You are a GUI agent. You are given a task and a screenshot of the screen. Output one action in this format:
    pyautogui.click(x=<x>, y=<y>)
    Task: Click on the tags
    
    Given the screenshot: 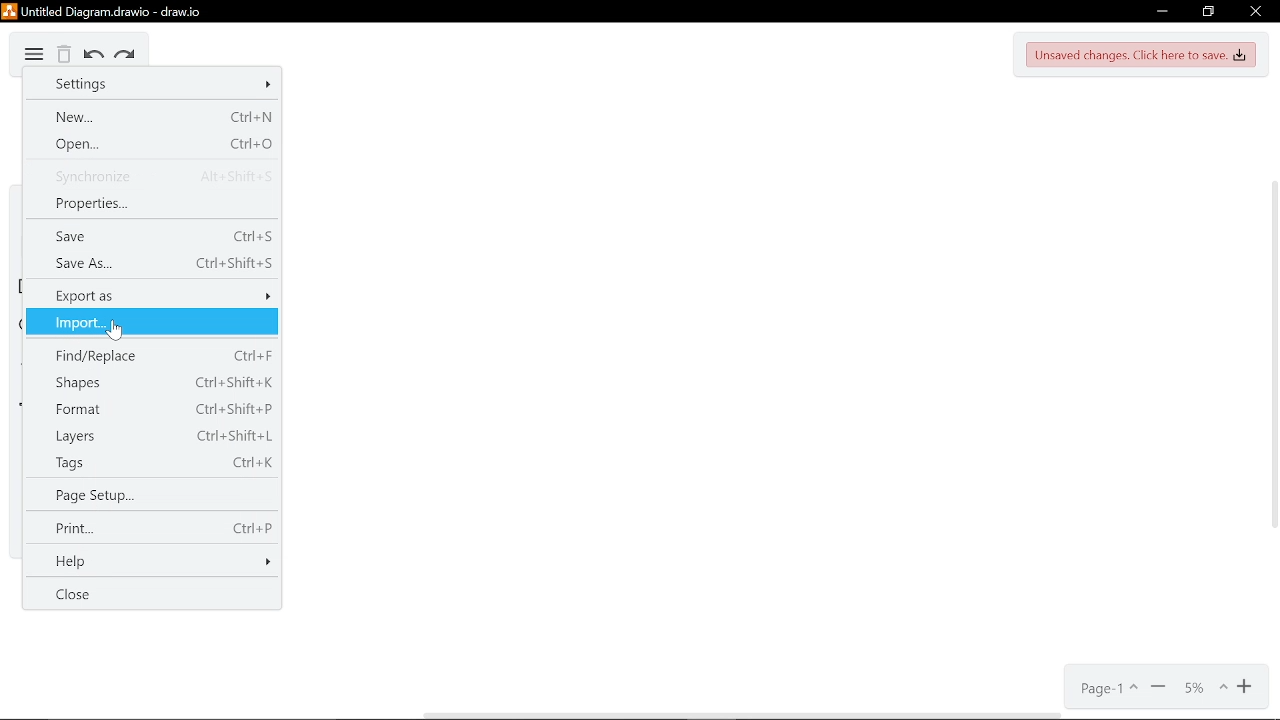 What is the action you would take?
    pyautogui.click(x=154, y=463)
    